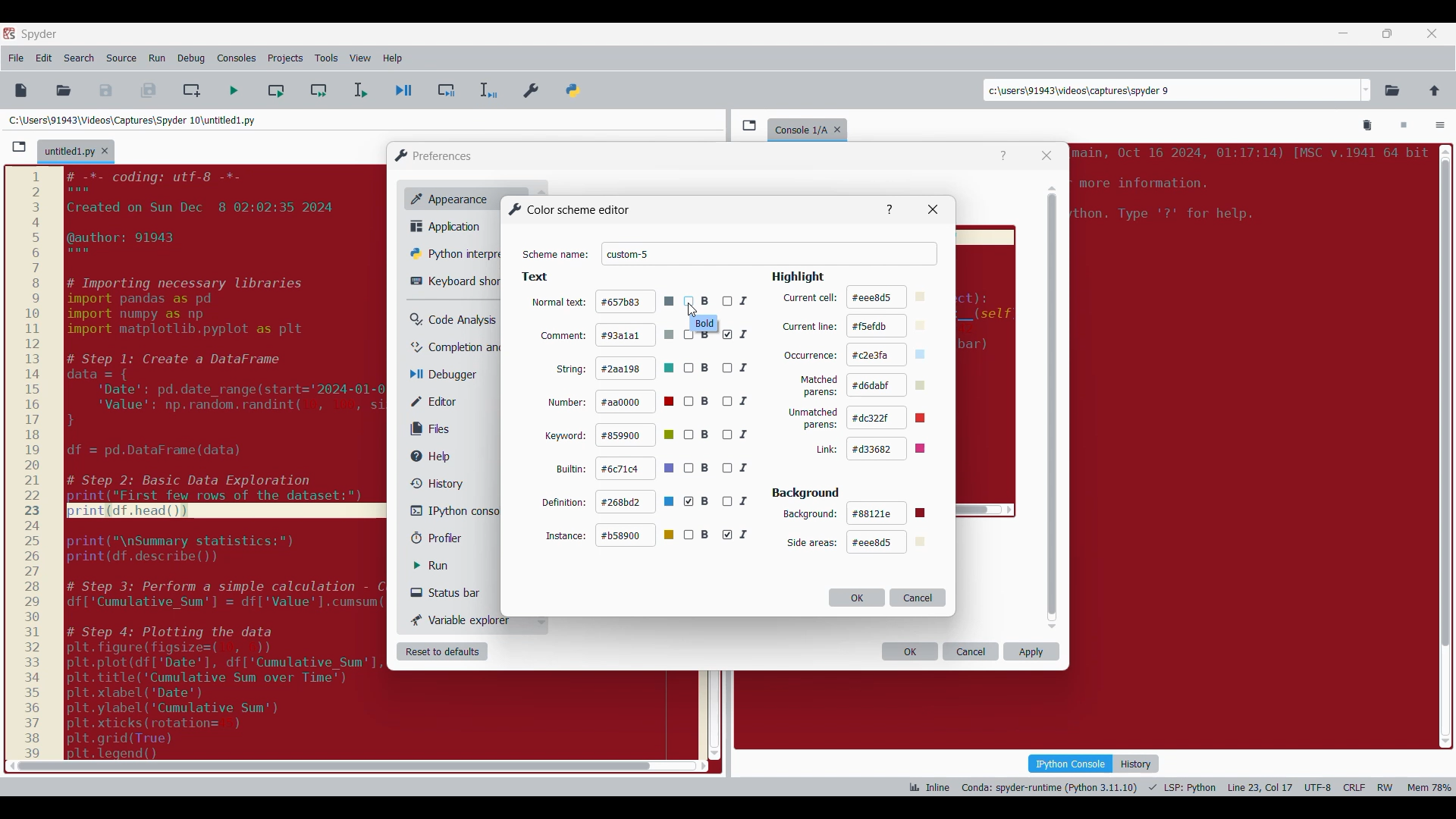 This screenshot has width=1456, height=819. Describe the element at coordinates (1136, 764) in the screenshot. I see `History` at that location.